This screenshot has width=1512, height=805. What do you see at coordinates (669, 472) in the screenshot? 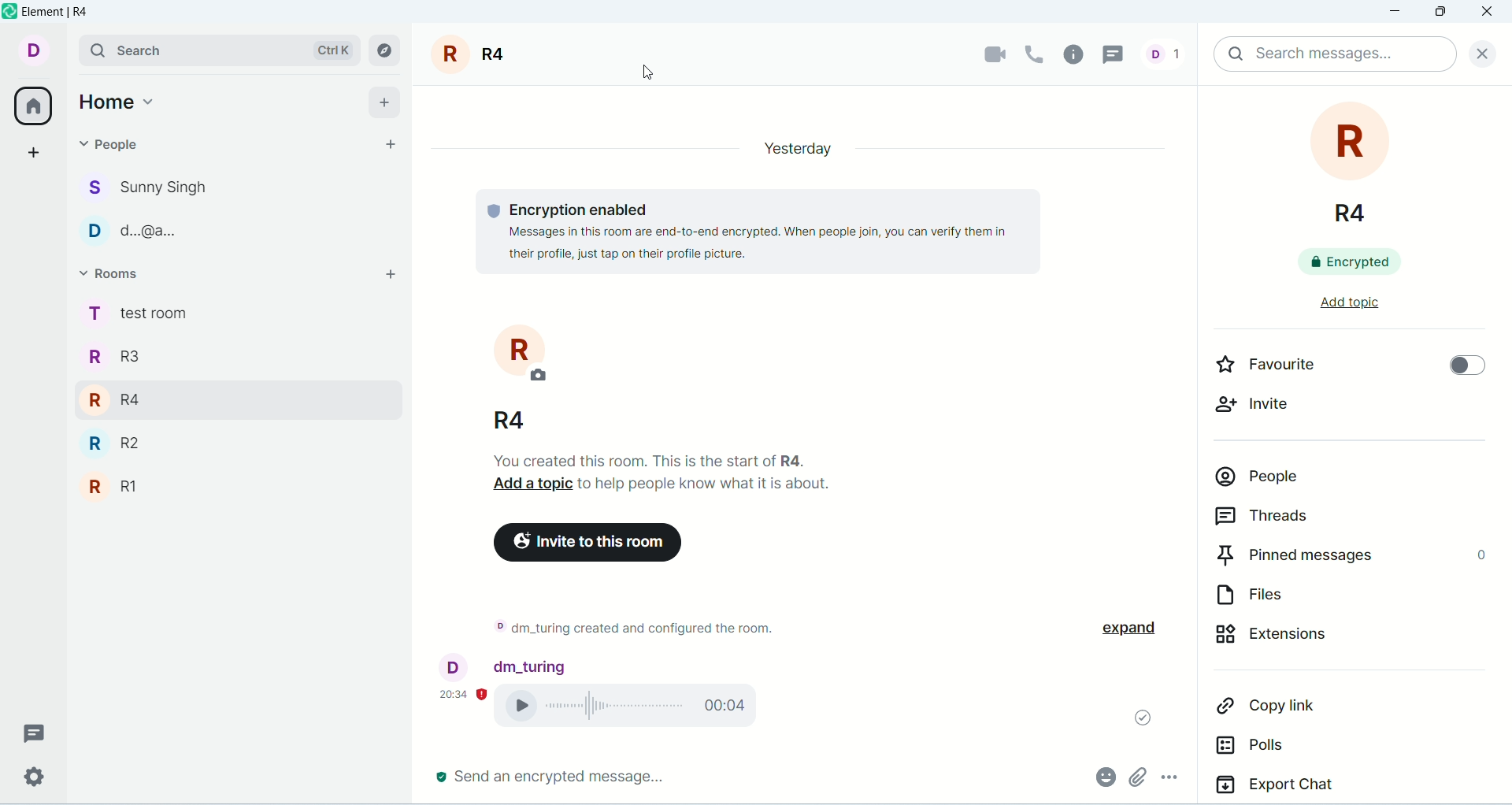
I see `text` at bounding box center [669, 472].